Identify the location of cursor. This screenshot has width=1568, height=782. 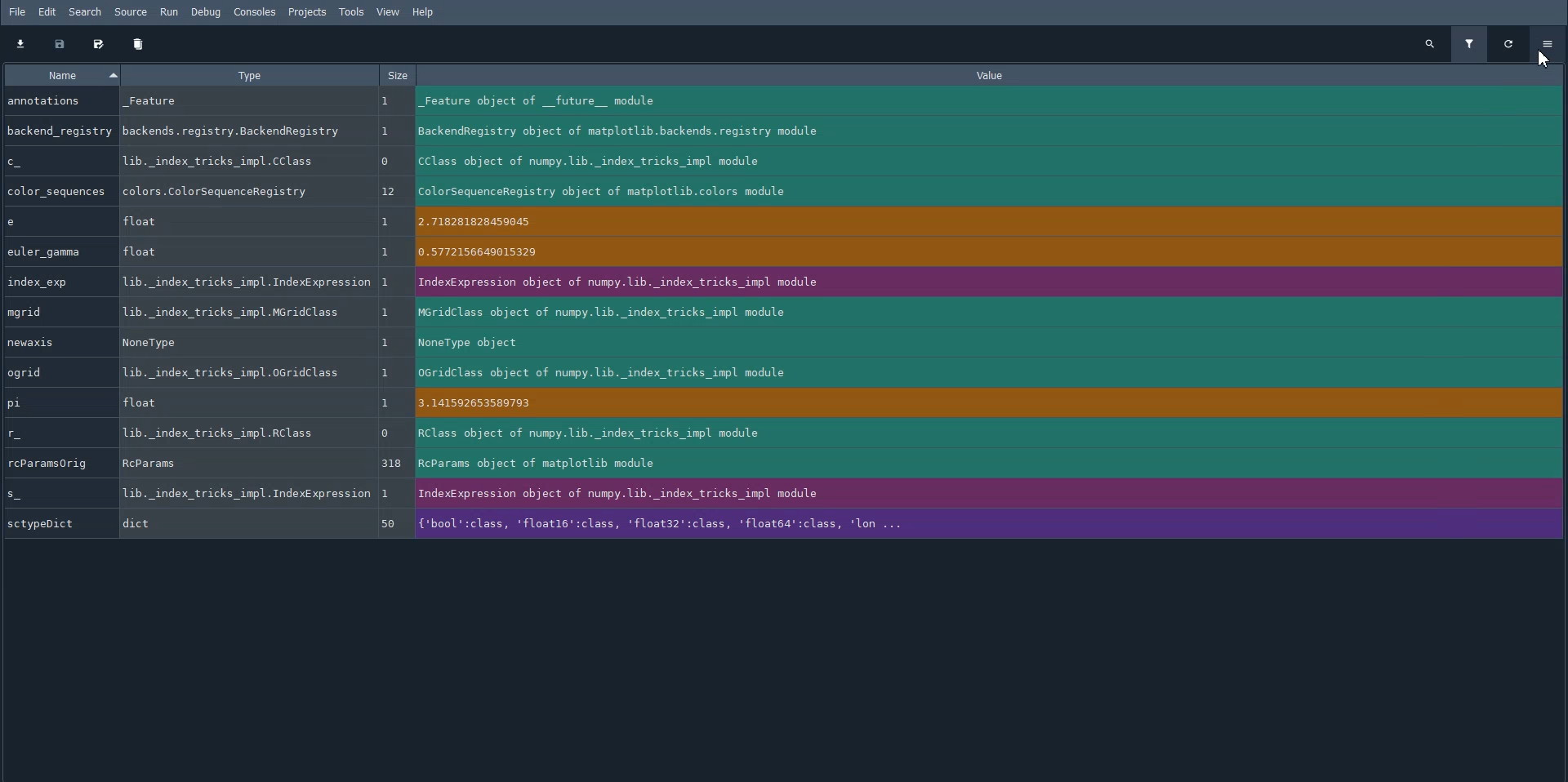
(1544, 57).